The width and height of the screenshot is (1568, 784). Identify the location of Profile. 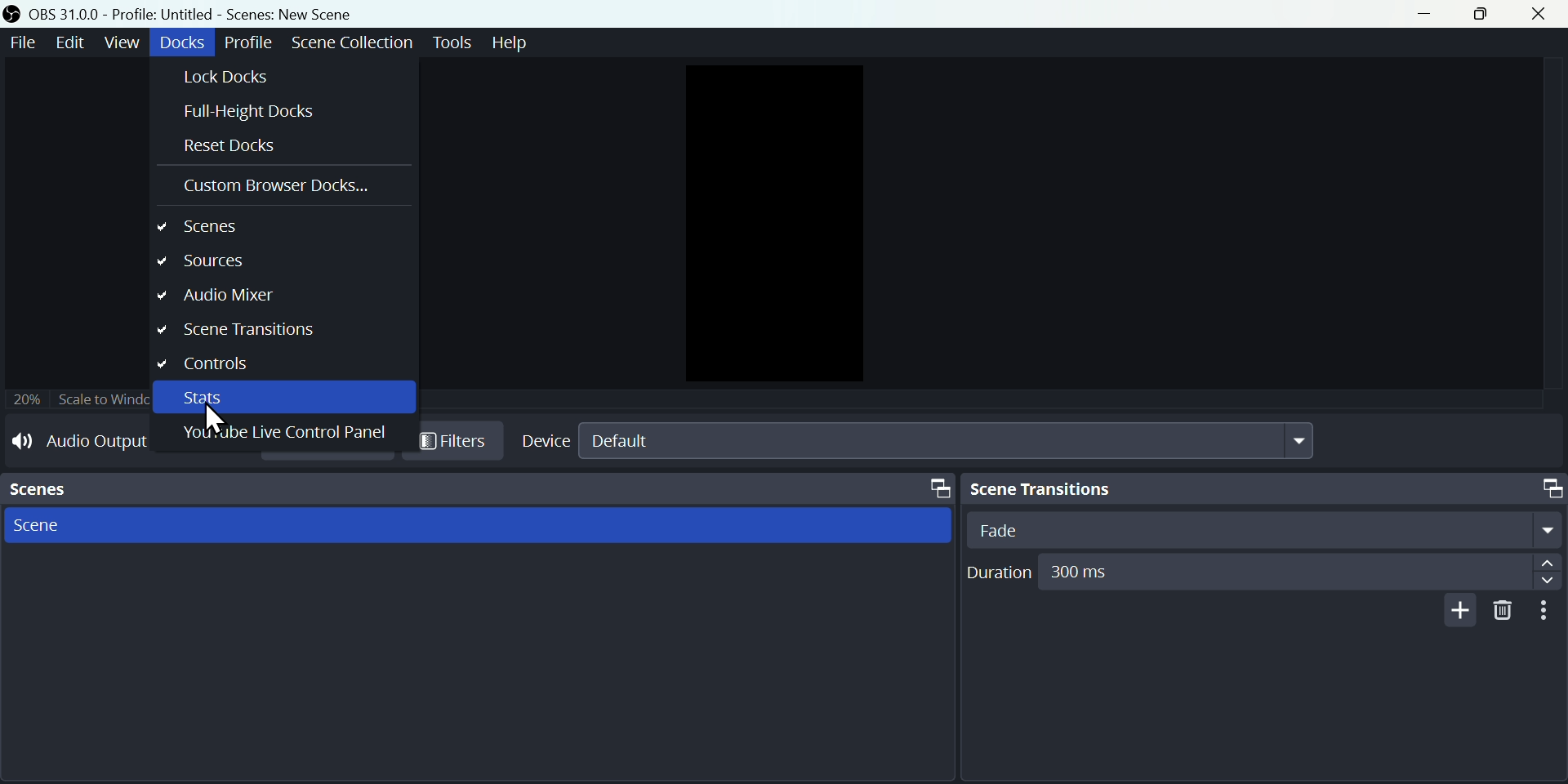
(247, 43).